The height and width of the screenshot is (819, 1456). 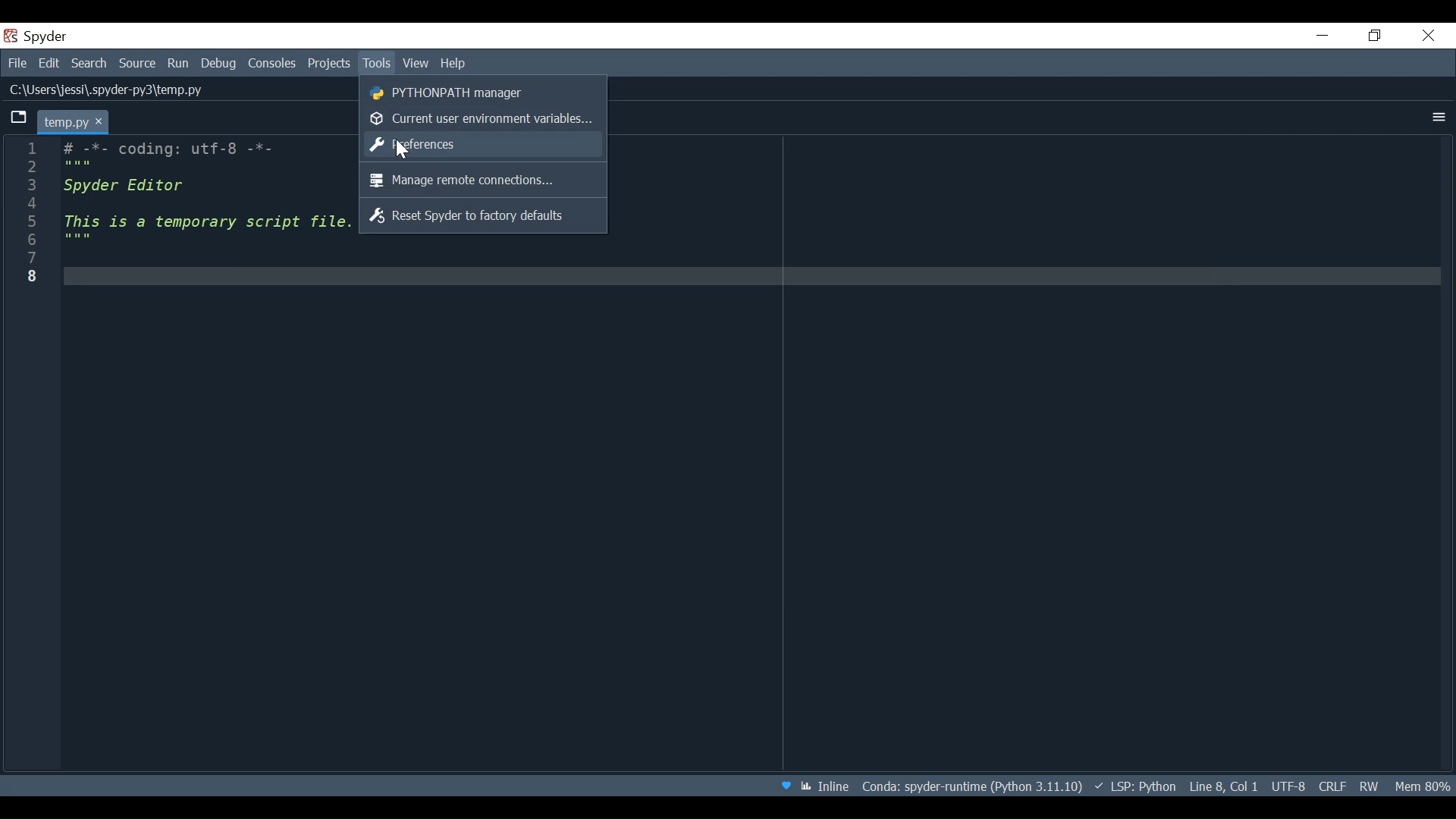 I want to click on Restore, so click(x=1376, y=36).